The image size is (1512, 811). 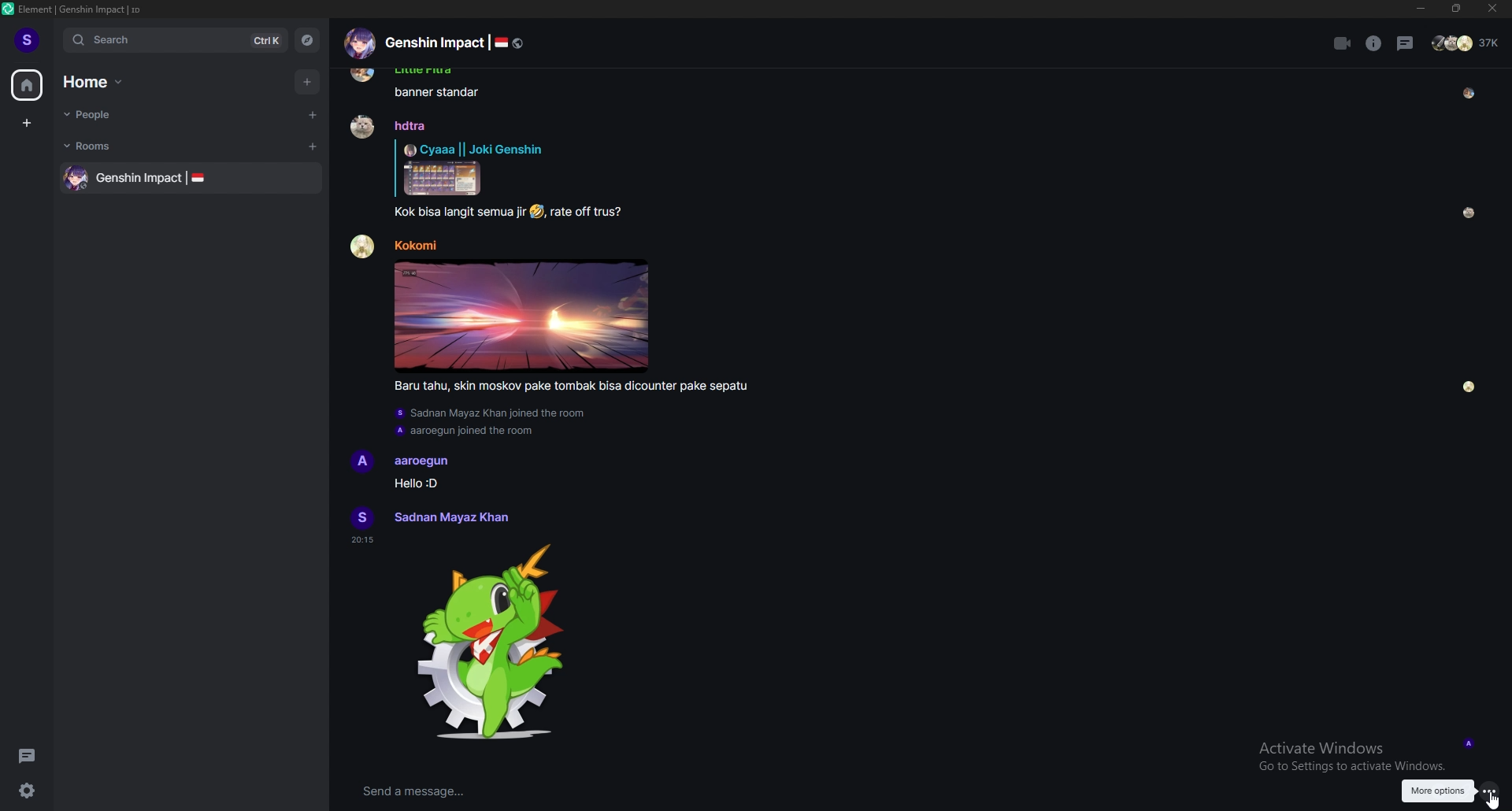 What do you see at coordinates (27, 86) in the screenshot?
I see `home` at bounding box center [27, 86].